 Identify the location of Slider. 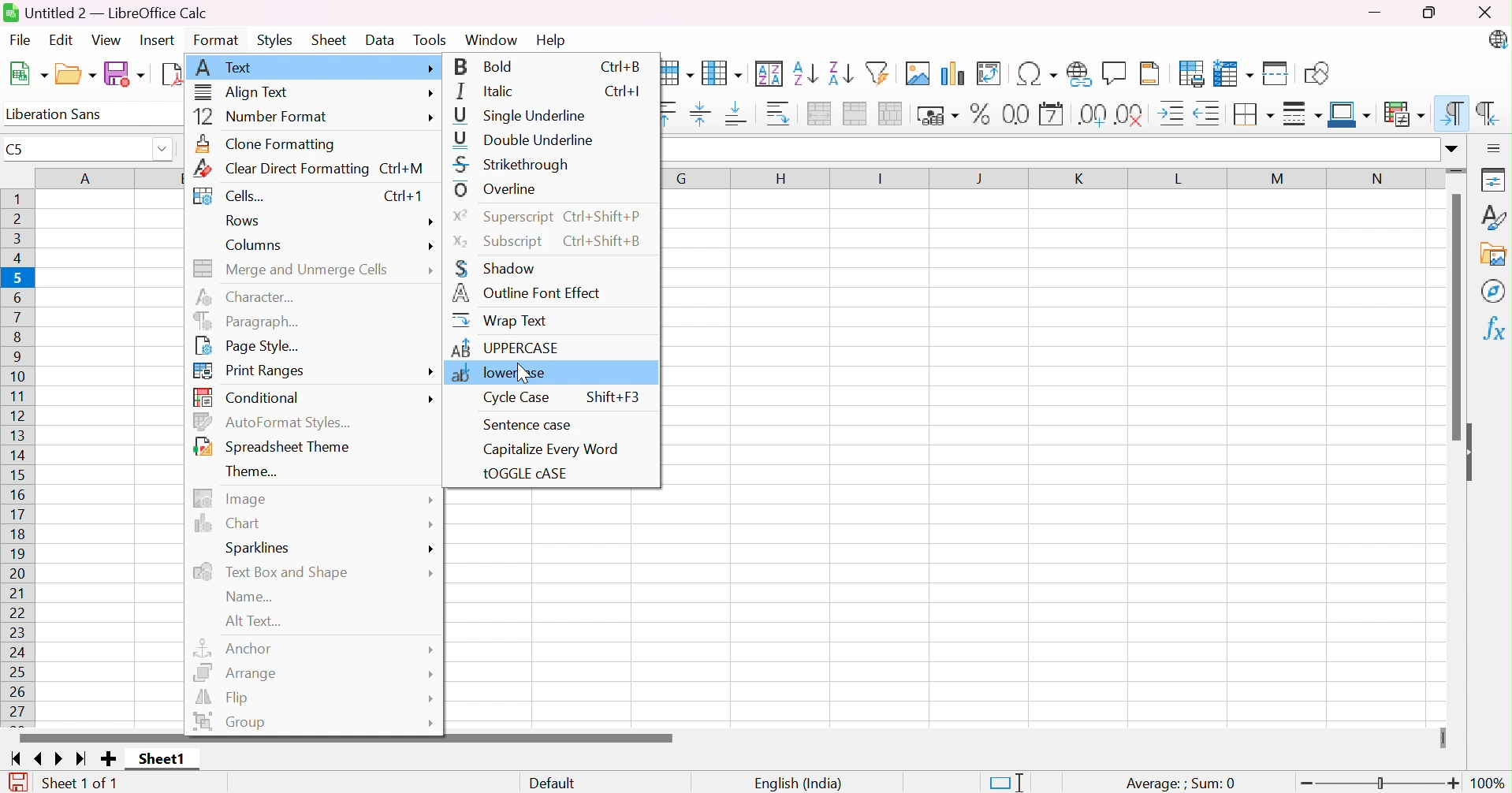
(1458, 170).